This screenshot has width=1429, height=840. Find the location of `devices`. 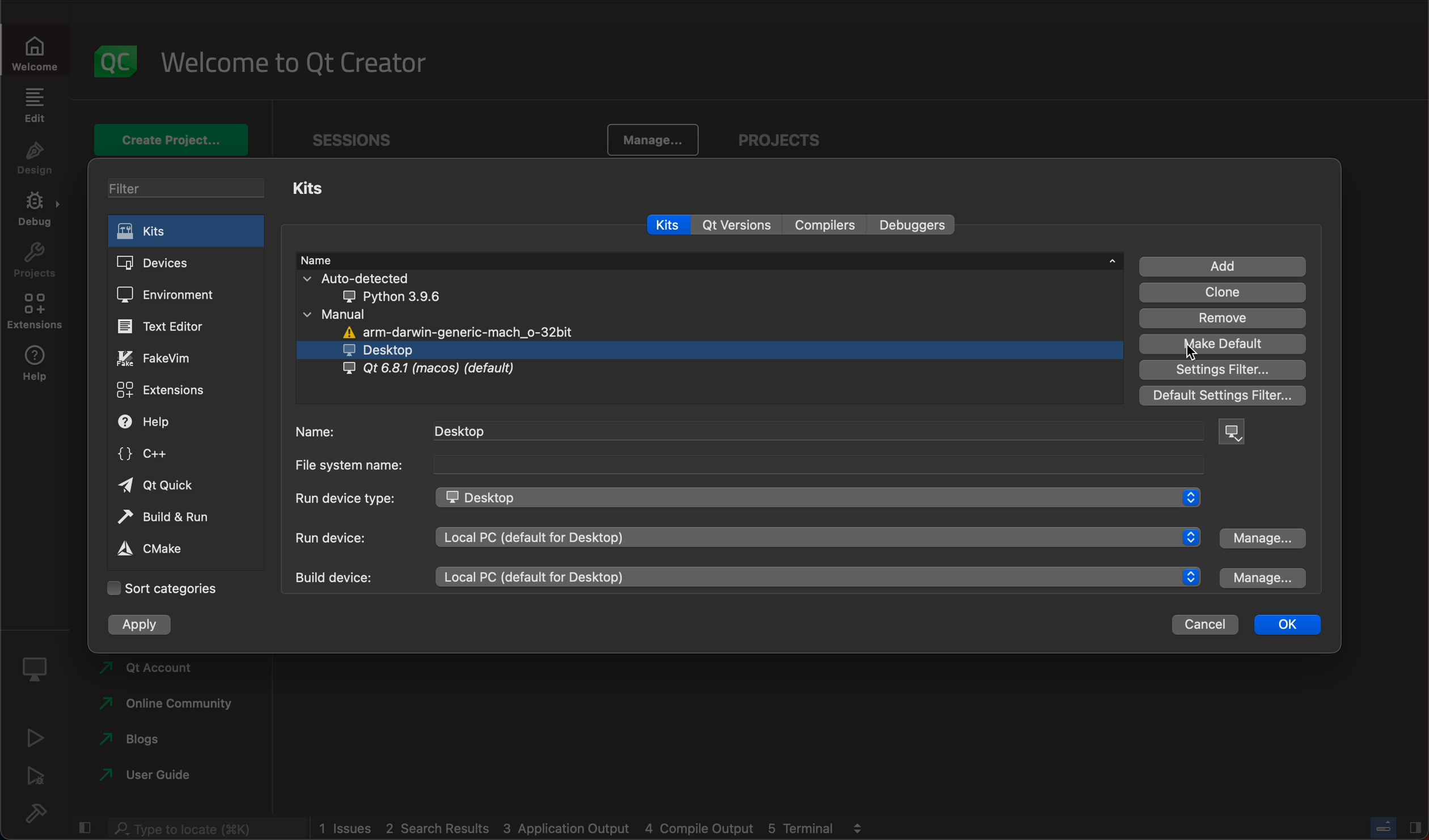

devices is located at coordinates (185, 264).